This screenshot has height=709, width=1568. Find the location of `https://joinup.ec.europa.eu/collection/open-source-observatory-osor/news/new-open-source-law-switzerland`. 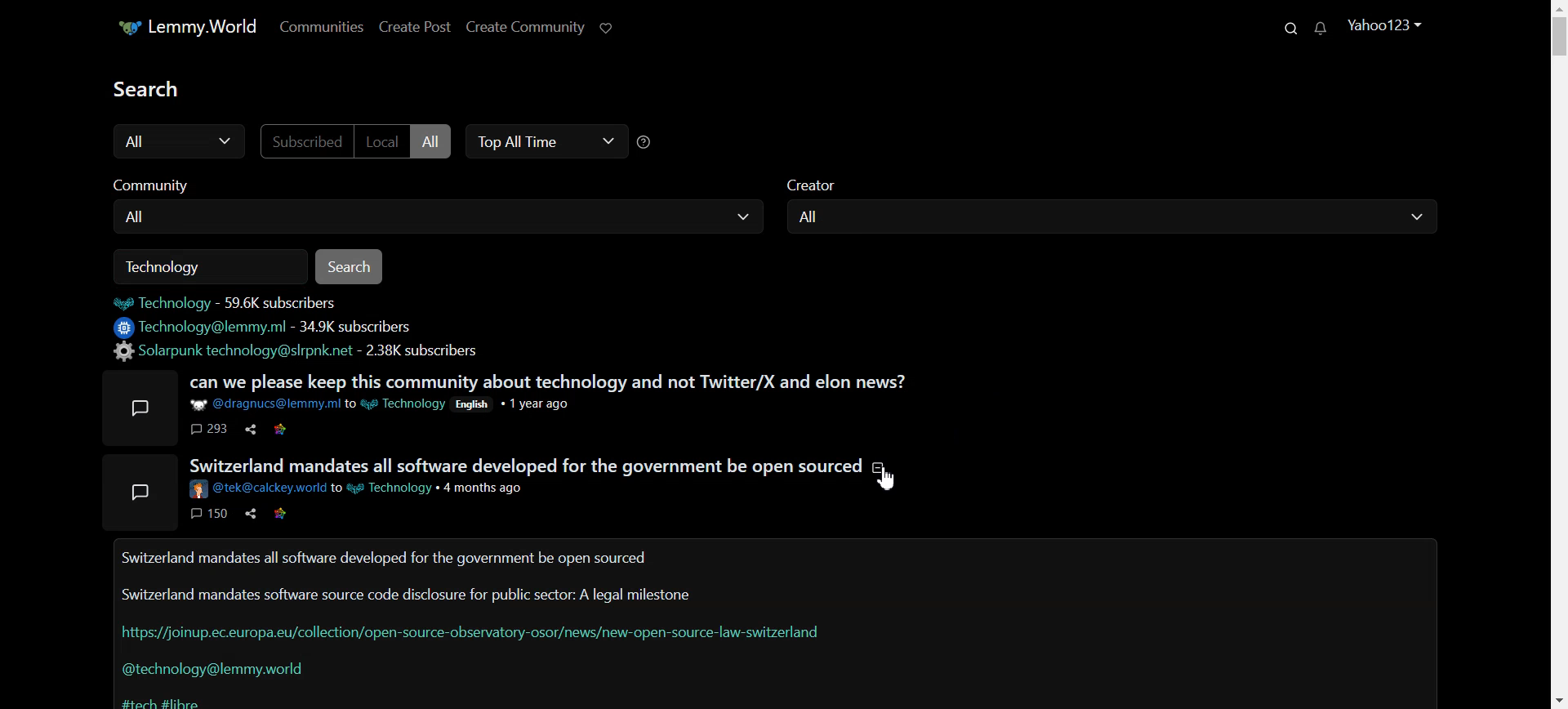

https://joinup.ec.europa.eu/collection/open-source-observatory-osor/news/new-open-source-law-switzerland is located at coordinates (472, 632).